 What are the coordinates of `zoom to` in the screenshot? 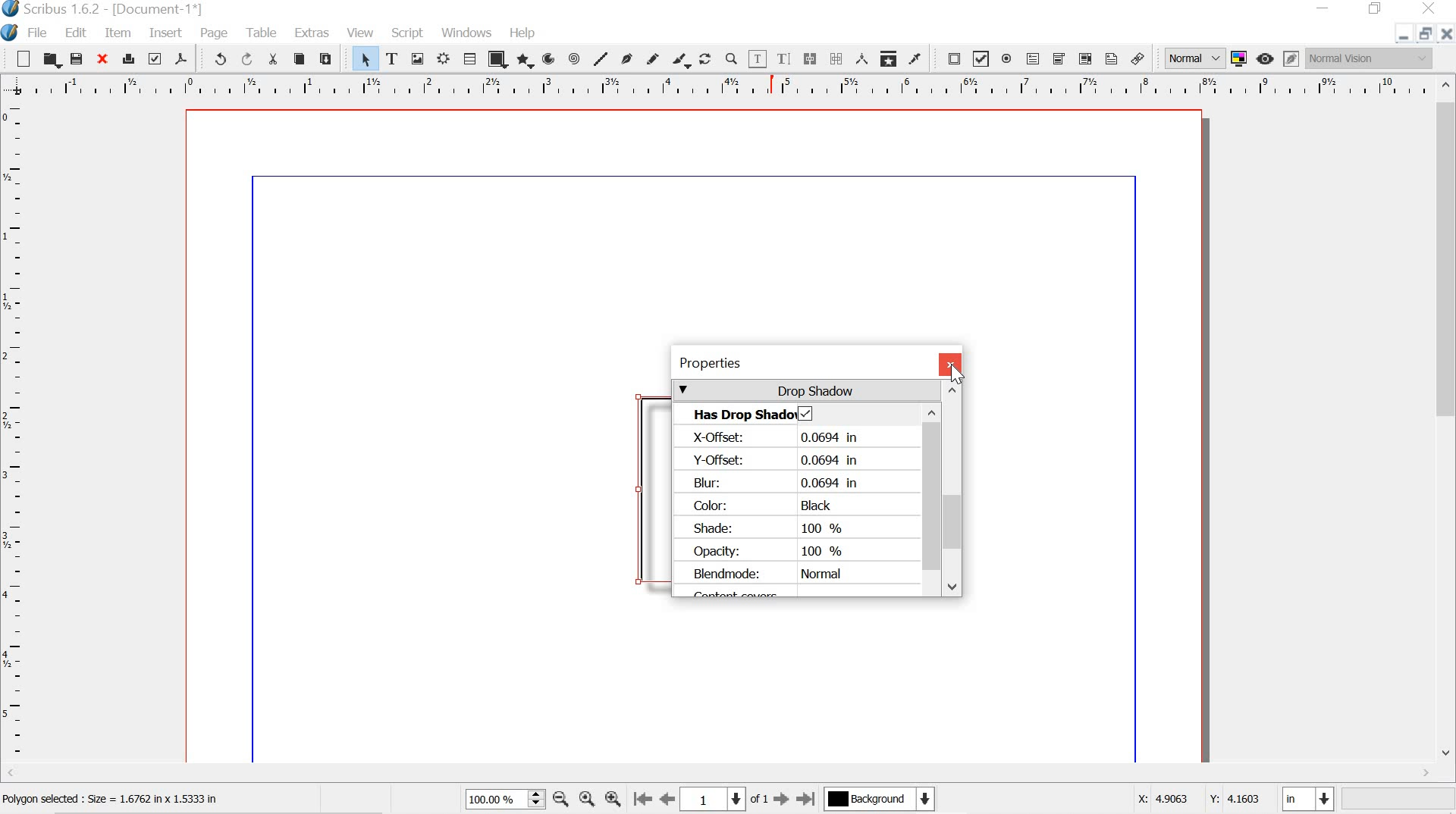 It's located at (589, 800).